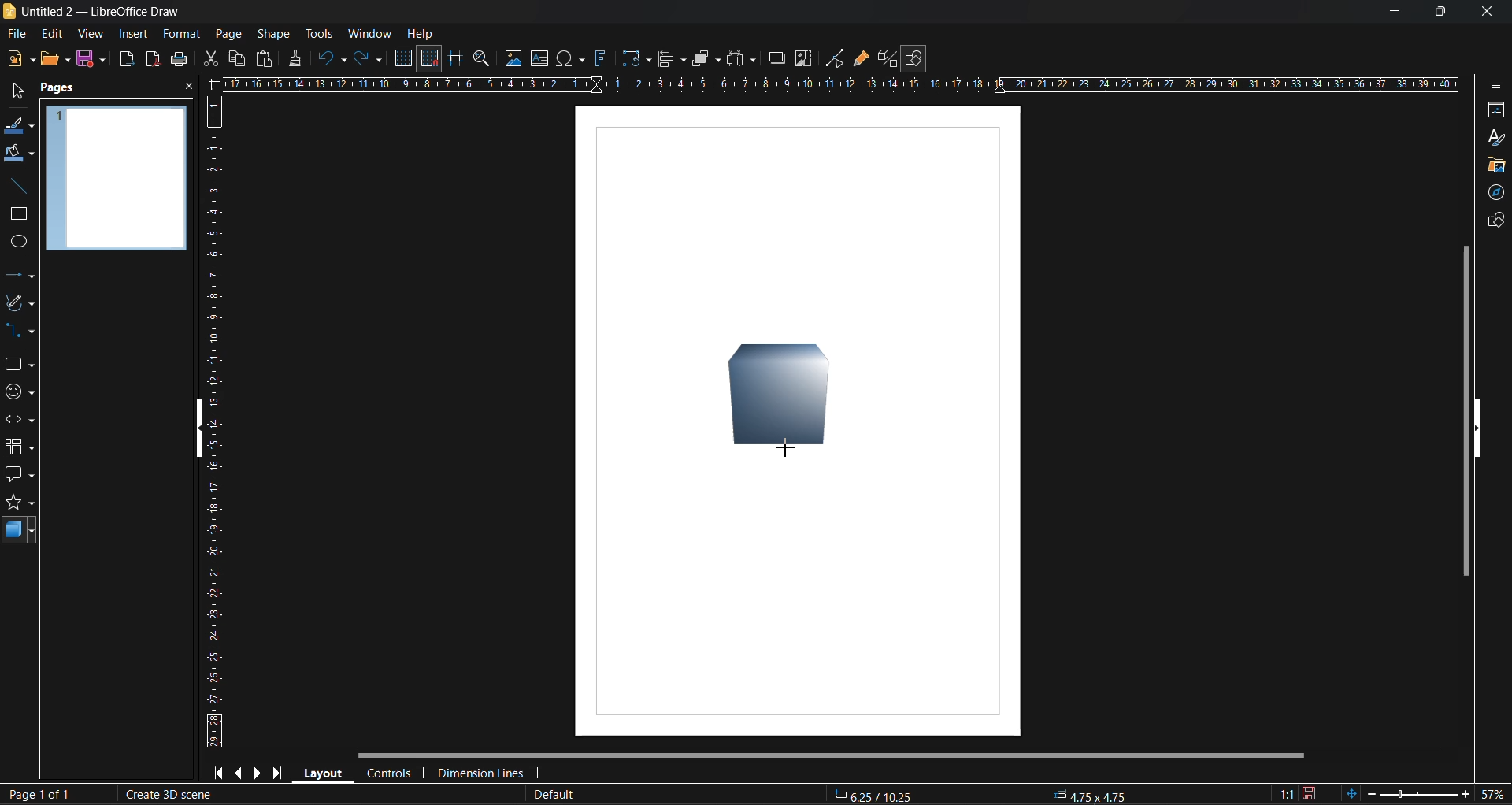 Image resolution: width=1512 pixels, height=805 pixels. Describe the element at coordinates (1466, 410) in the screenshot. I see `vertical scroll bar` at that location.